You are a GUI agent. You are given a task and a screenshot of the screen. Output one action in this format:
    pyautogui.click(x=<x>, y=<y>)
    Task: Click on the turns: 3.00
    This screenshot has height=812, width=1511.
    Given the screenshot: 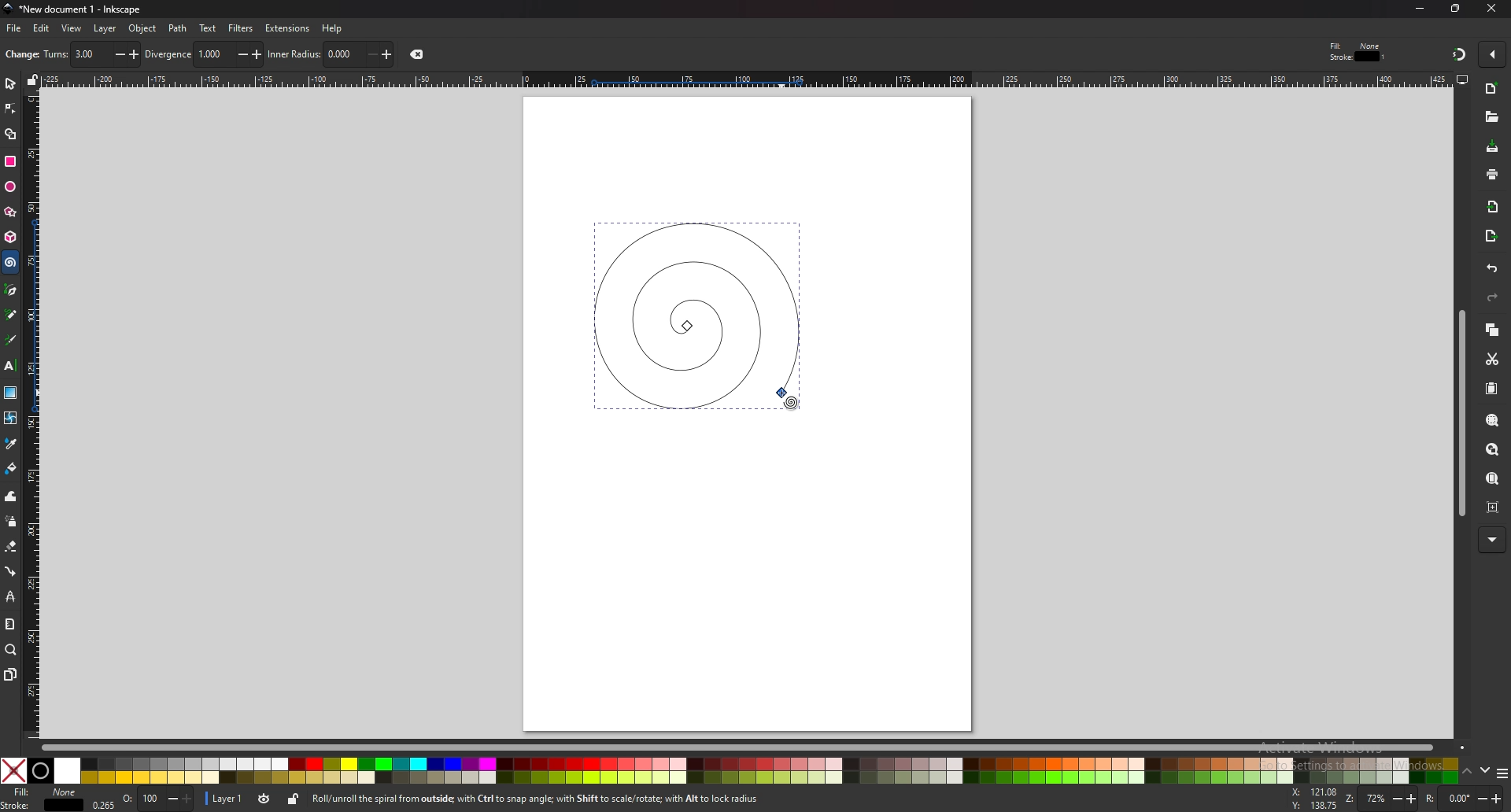 What is the action you would take?
    pyautogui.click(x=90, y=55)
    